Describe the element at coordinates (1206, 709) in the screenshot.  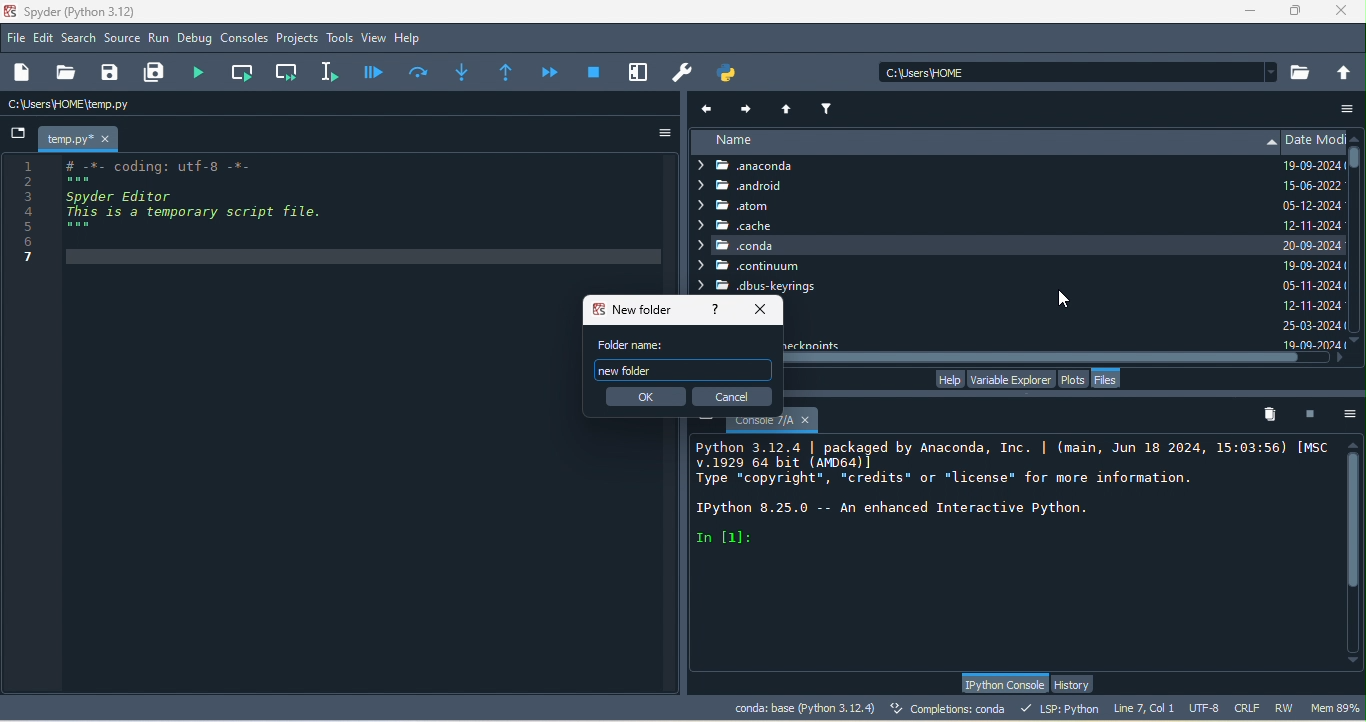
I see `utf 8` at that location.